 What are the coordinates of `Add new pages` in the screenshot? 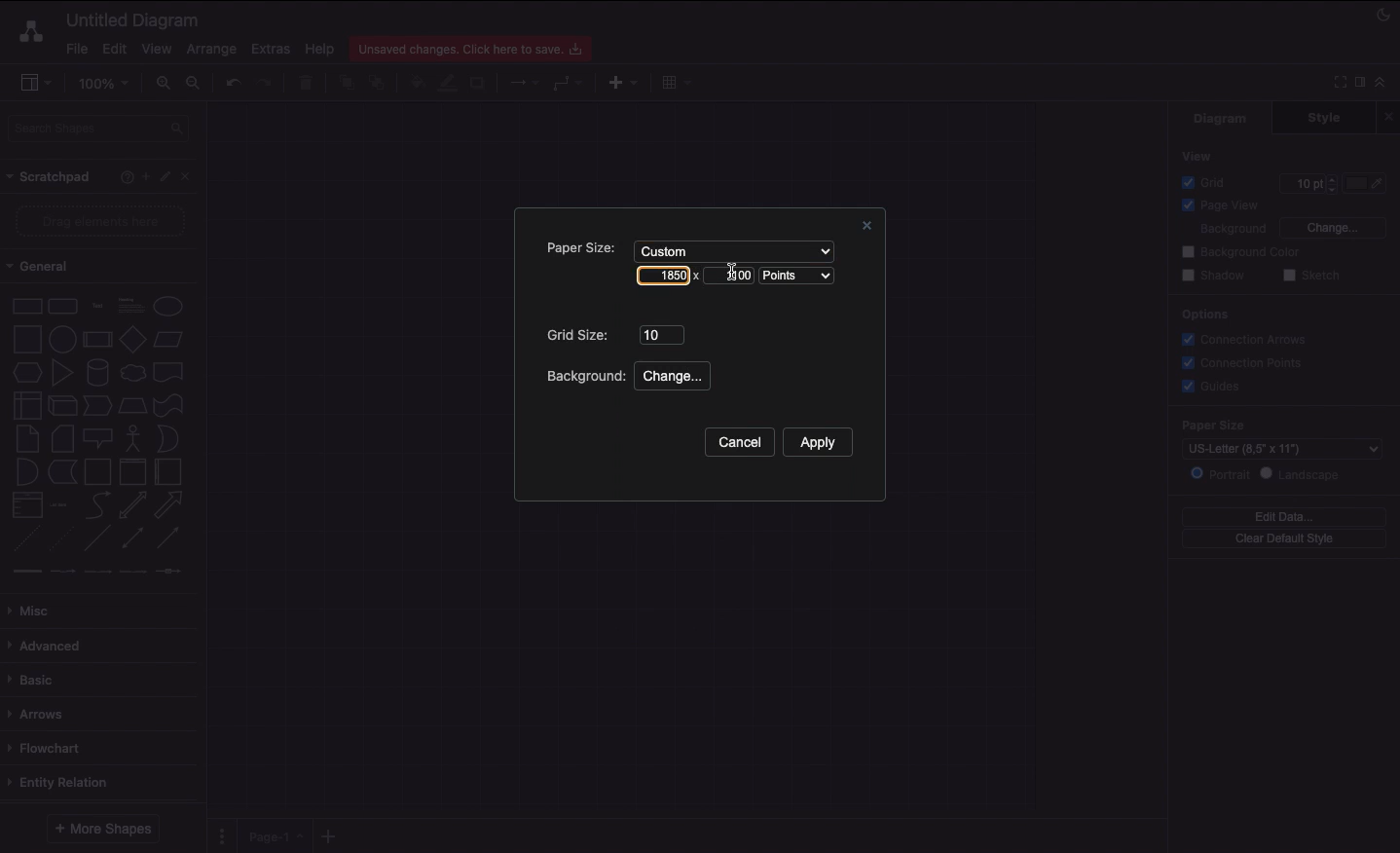 It's located at (331, 837).